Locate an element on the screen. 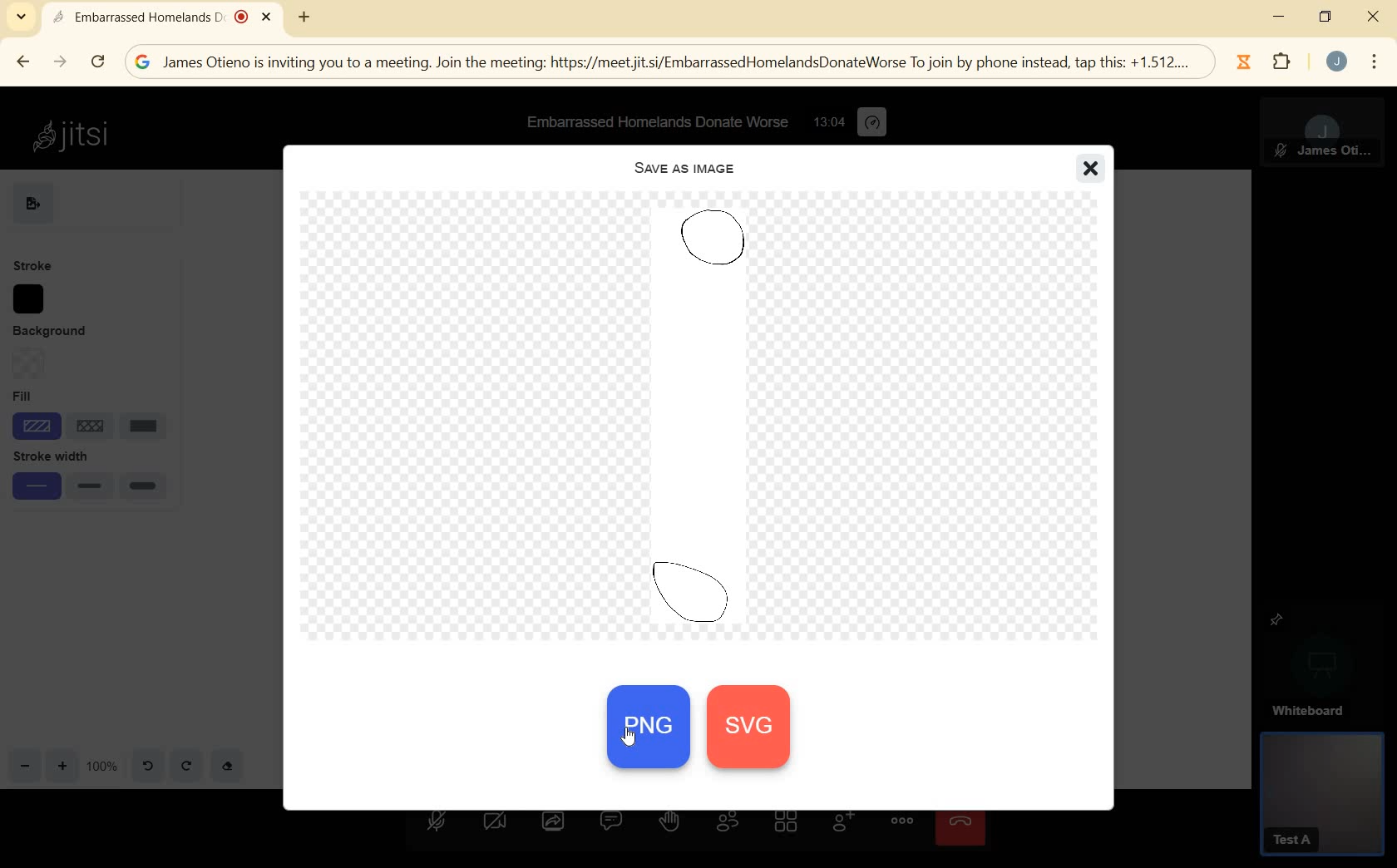  stroke width is located at coordinates (89, 458).